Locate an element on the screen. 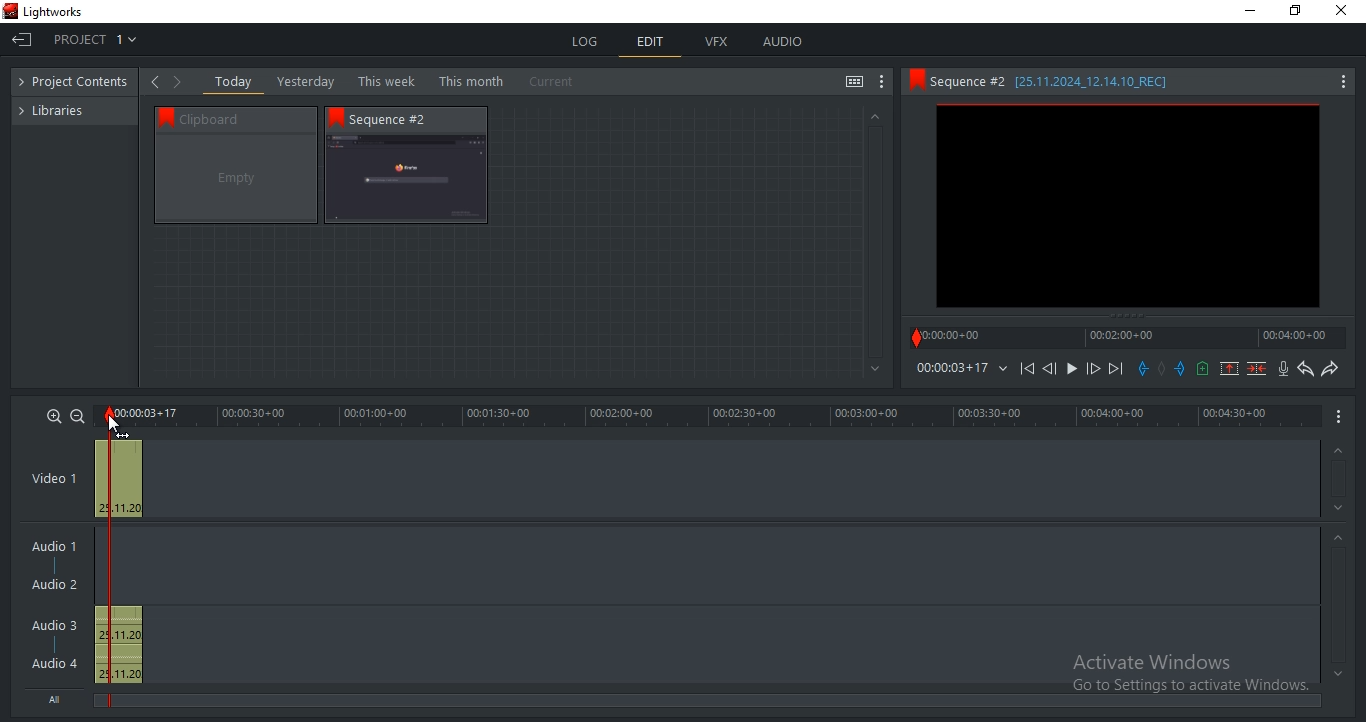 The height and width of the screenshot is (722, 1366). Bookmark icon is located at coordinates (915, 80).